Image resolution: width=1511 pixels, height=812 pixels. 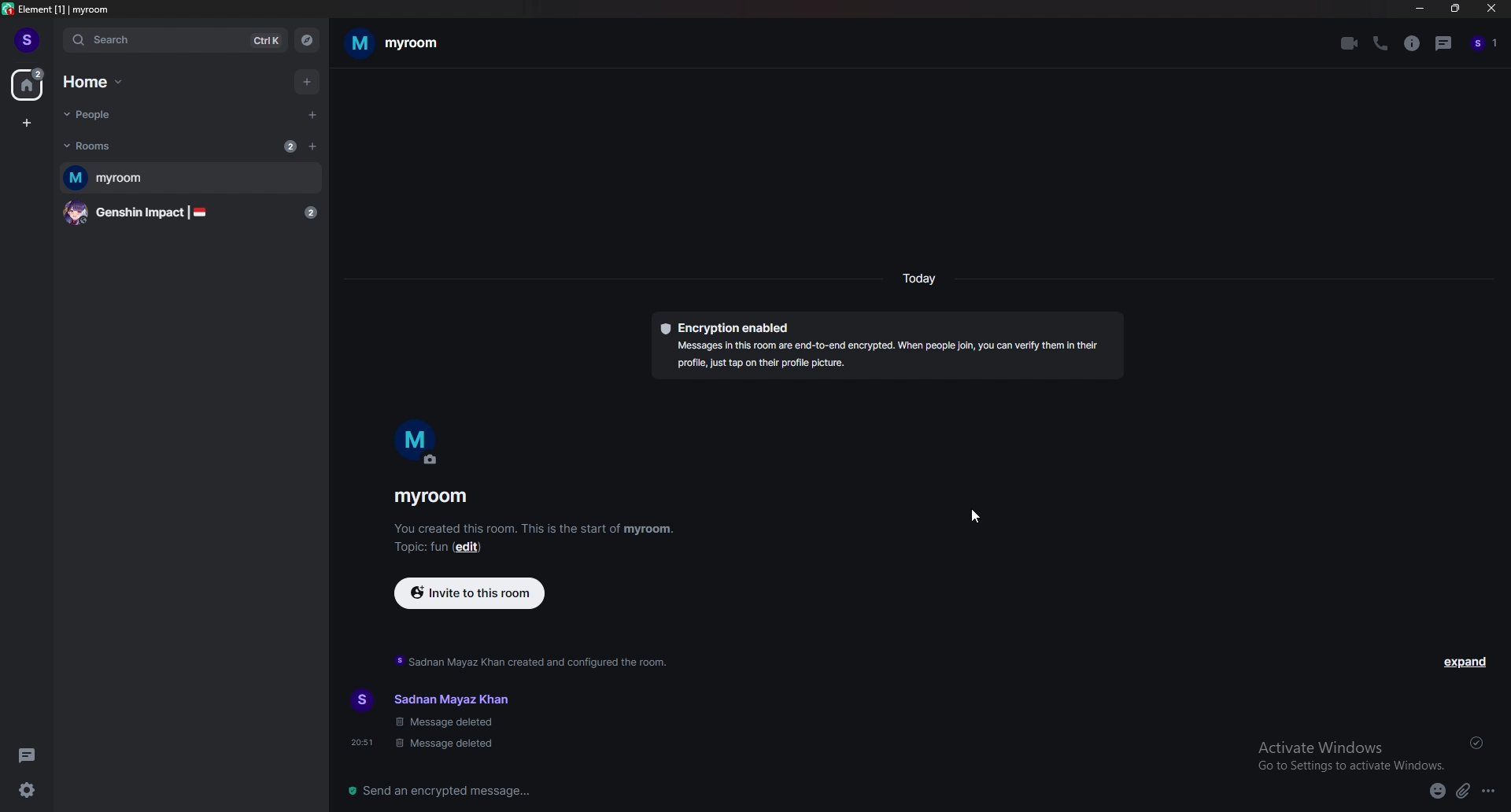 I want to click on attachment, so click(x=1463, y=791).